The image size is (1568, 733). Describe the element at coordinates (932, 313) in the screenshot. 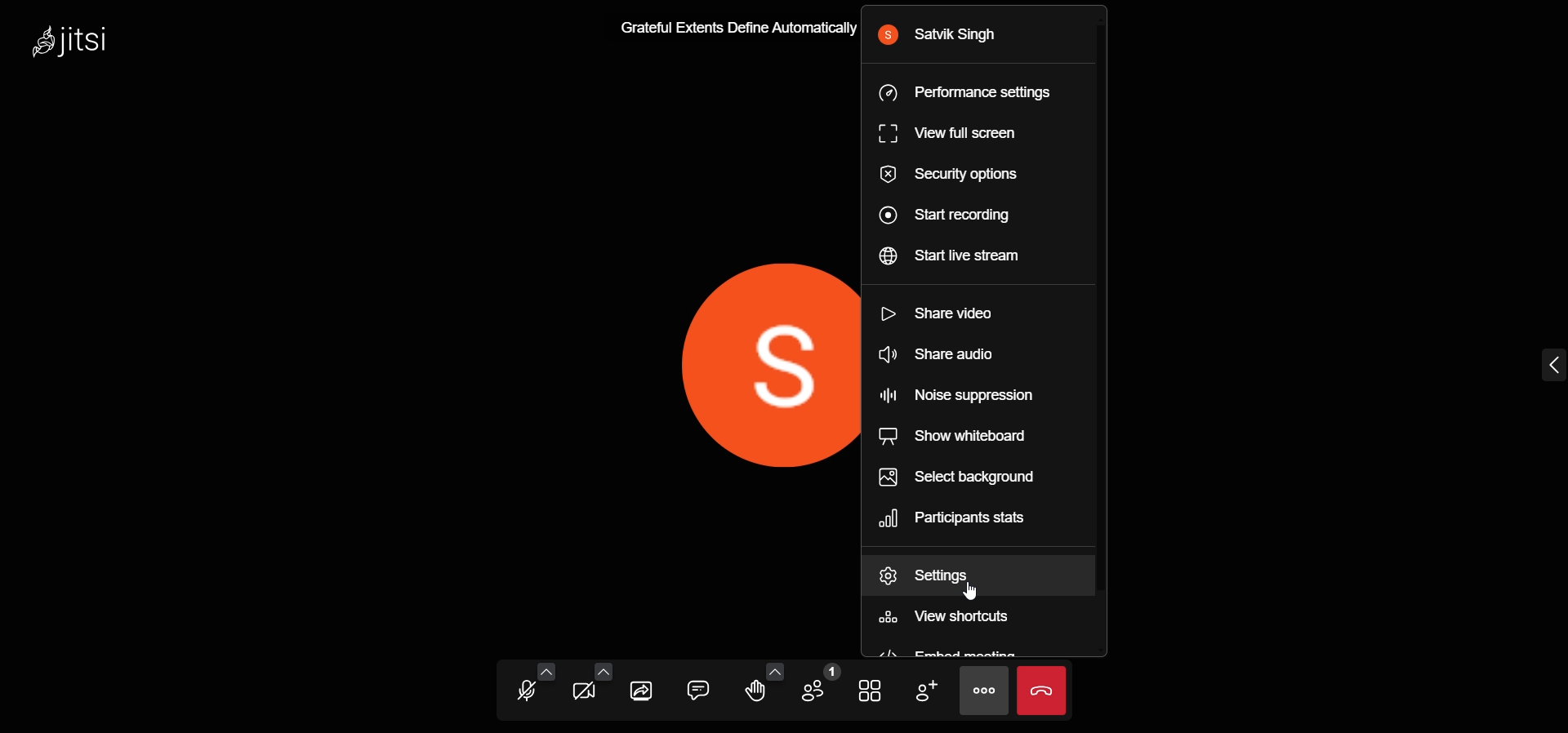

I see `share video` at that location.